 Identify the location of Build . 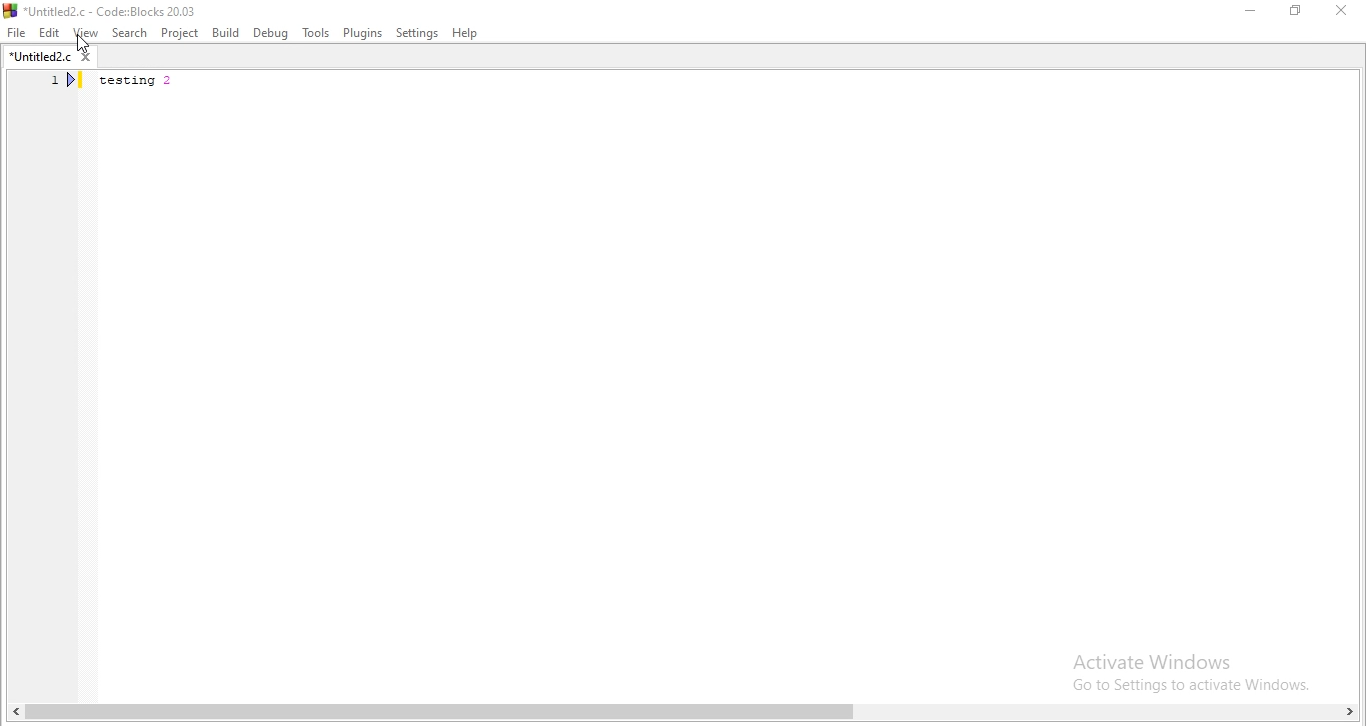
(226, 33).